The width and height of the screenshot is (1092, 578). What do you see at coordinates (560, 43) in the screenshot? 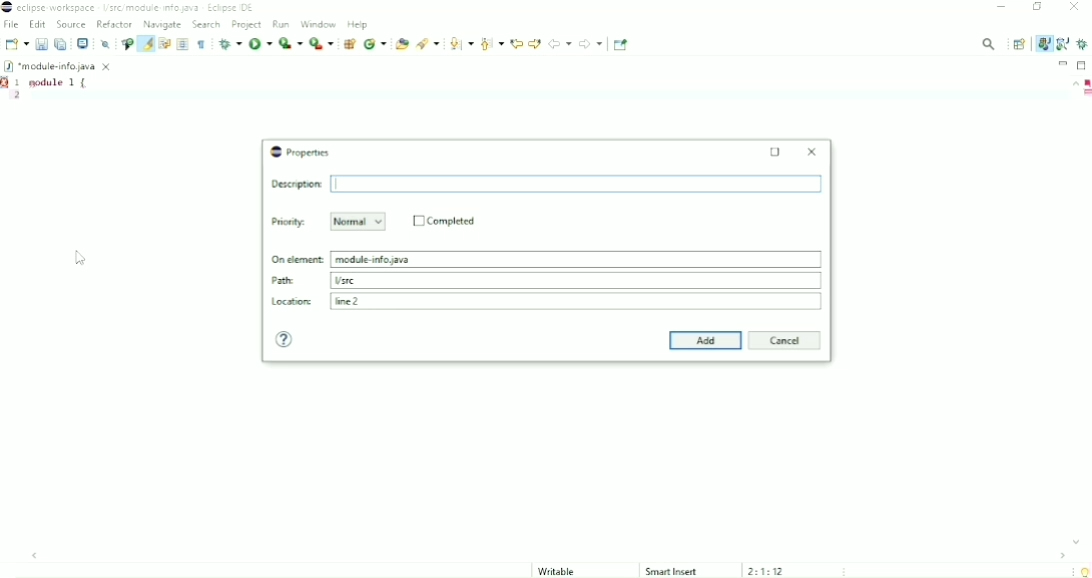
I see `Back` at bounding box center [560, 43].